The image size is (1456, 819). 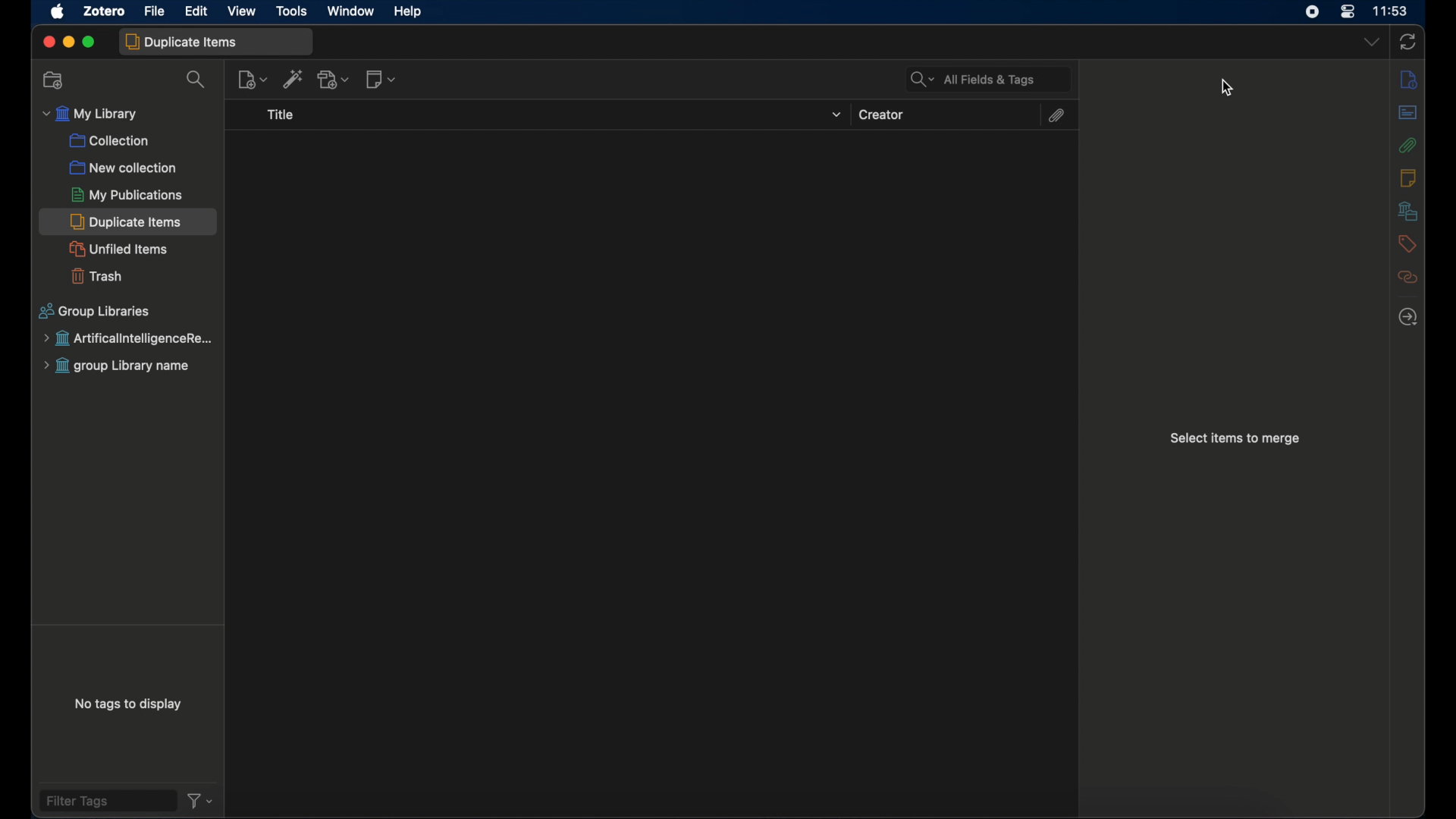 What do you see at coordinates (54, 81) in the screenshot?
I see `new collection` at bounding box center [54, 81].